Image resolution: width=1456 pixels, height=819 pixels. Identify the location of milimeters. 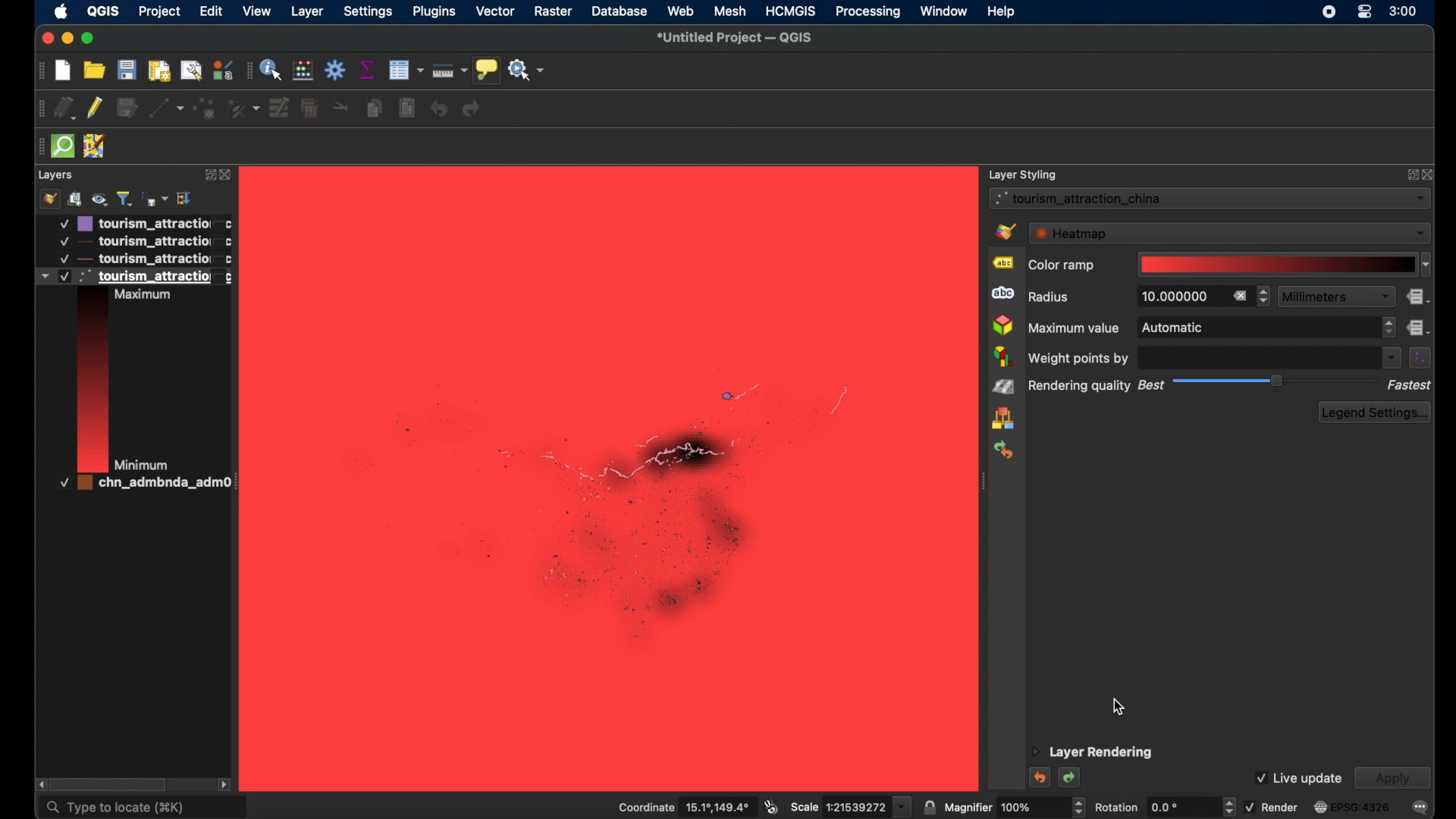
(1335, 296).